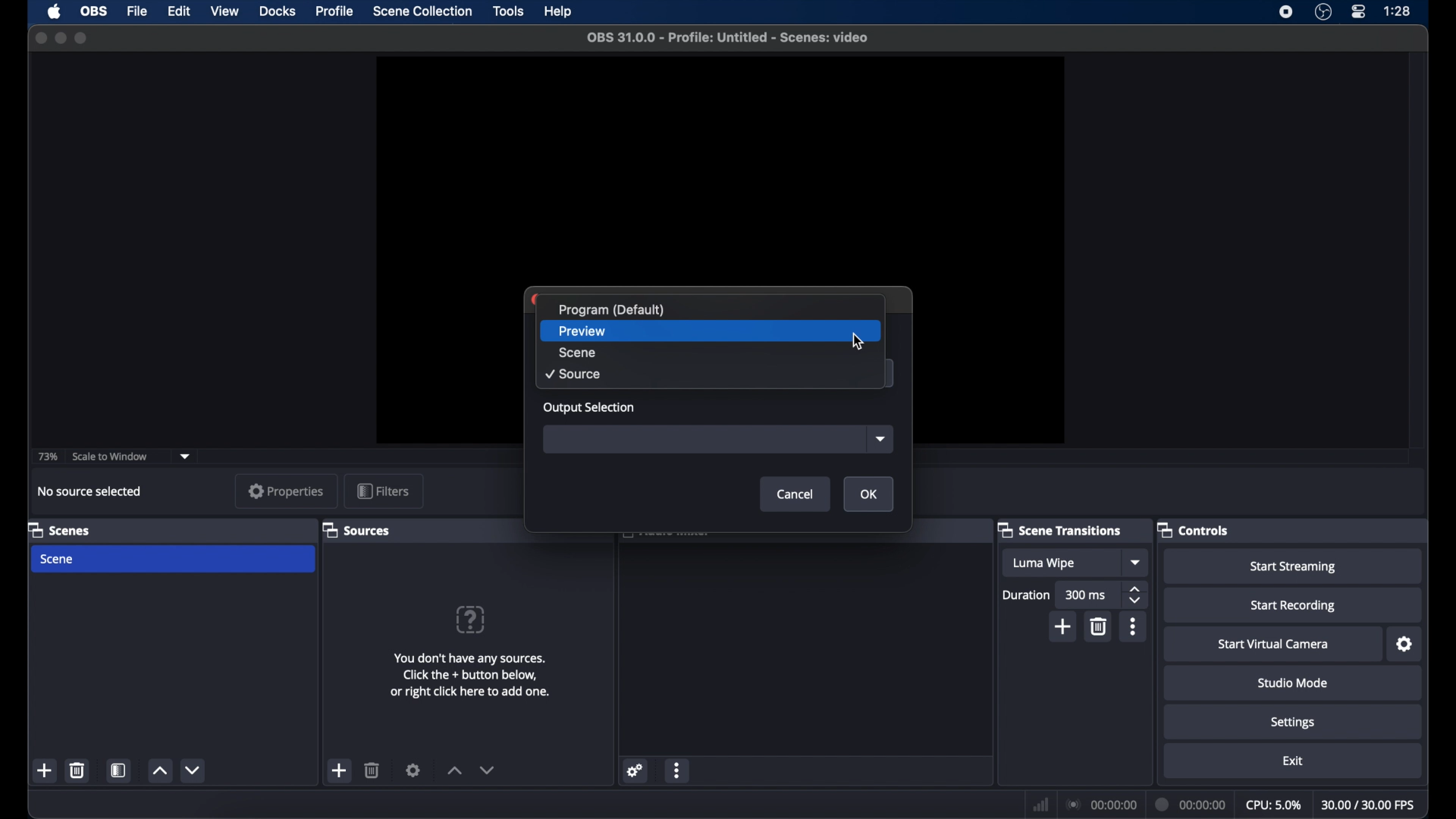 The image size is (1456, 819). I want to click on add, so click(340, 770).